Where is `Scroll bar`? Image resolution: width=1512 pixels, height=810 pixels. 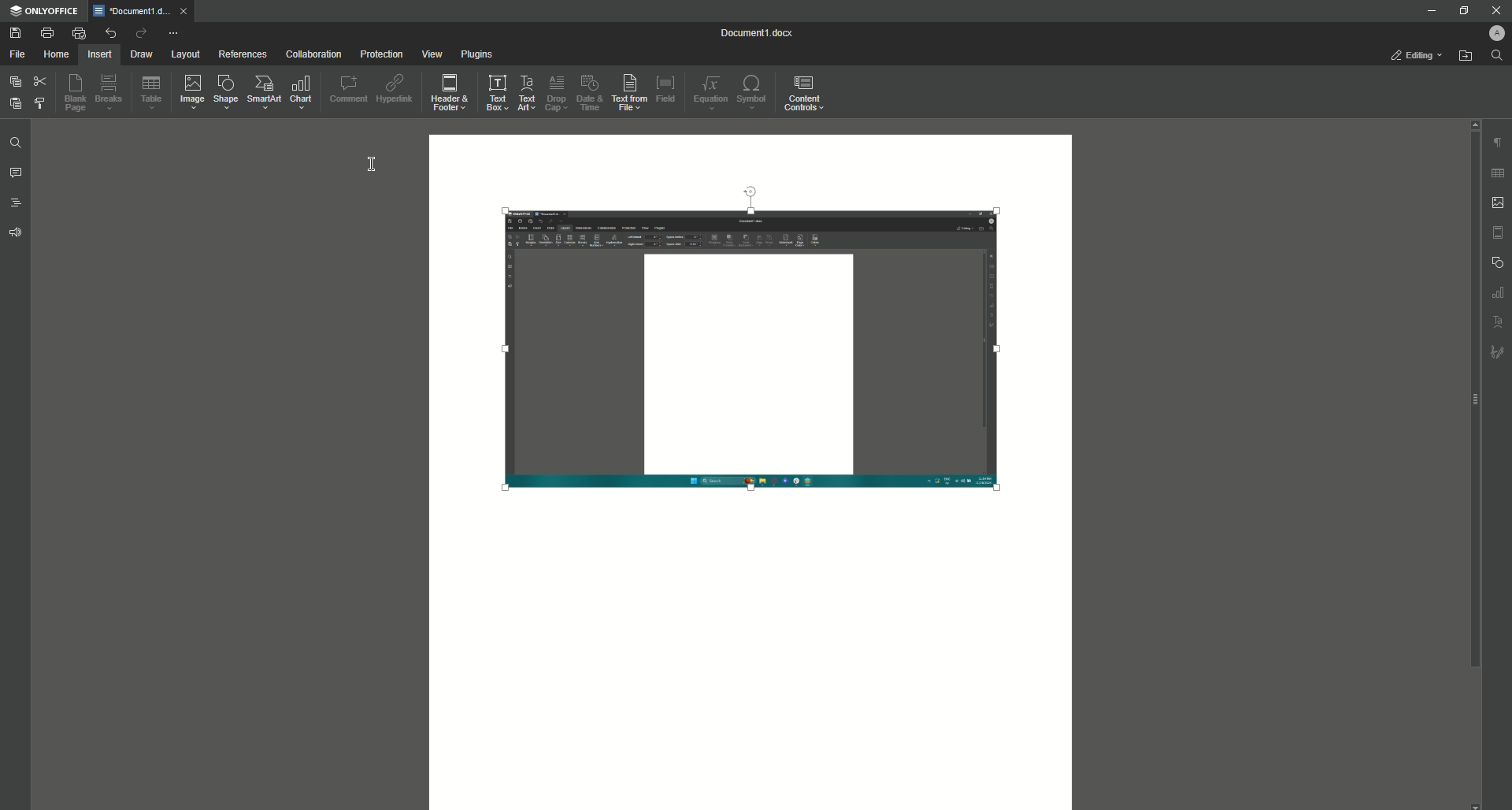 Scroll bar is located at coordinates (1473, 400).